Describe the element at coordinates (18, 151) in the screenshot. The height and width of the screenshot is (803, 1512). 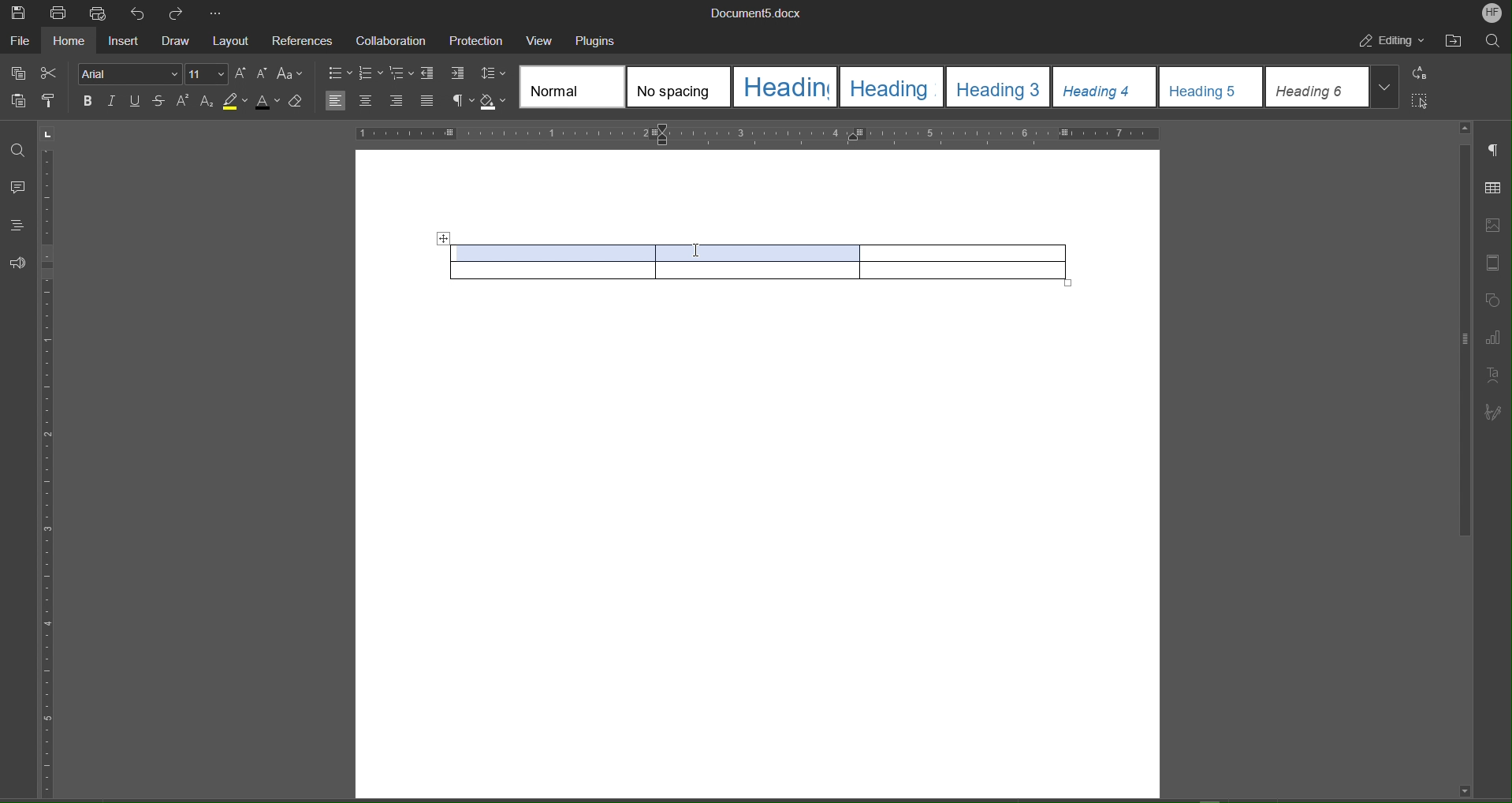
I see `Find` at that location.